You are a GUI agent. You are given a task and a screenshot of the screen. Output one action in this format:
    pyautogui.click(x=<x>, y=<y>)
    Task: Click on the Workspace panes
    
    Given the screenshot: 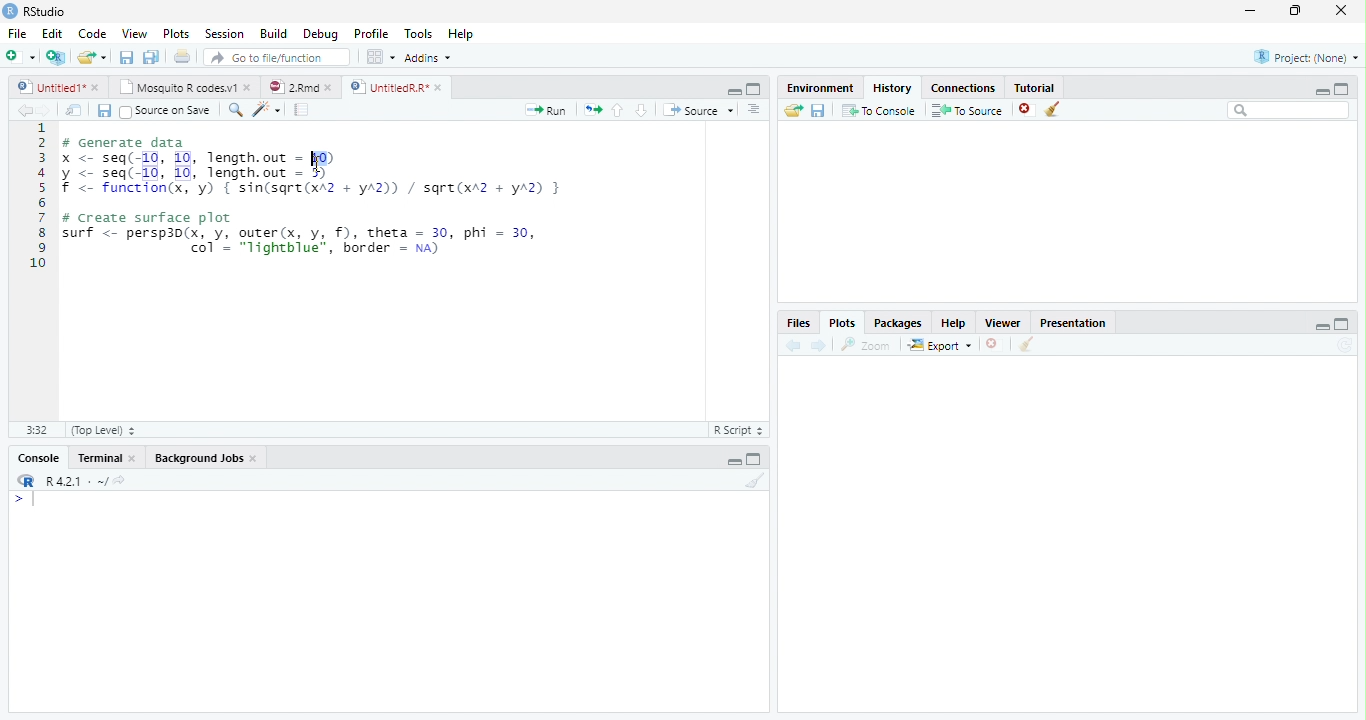 What is the action you would take?
    pyautogui.click(x=379, y=56)
    